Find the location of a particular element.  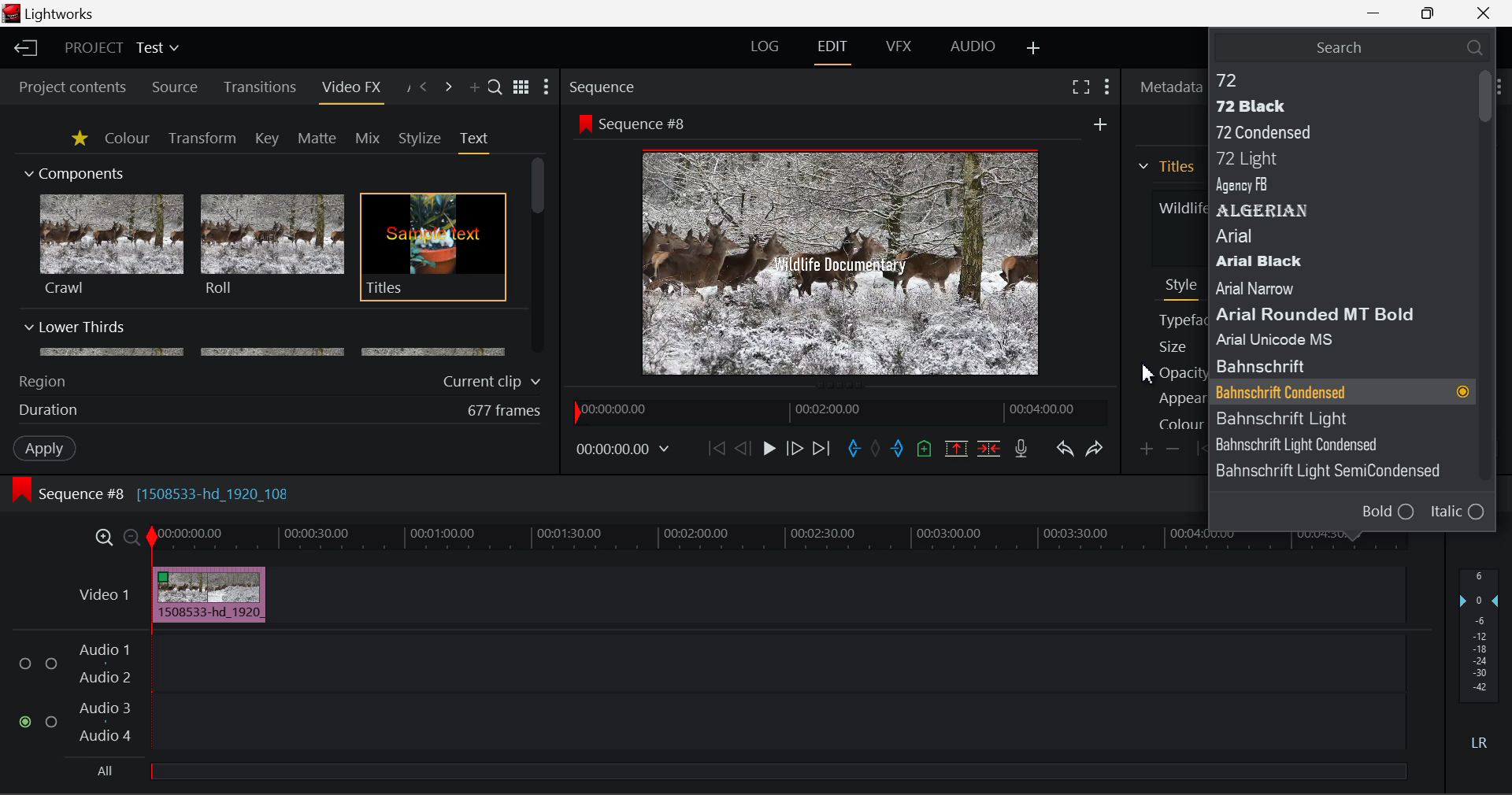

Project Timeline Navigator is located at coordinates (839, 409).